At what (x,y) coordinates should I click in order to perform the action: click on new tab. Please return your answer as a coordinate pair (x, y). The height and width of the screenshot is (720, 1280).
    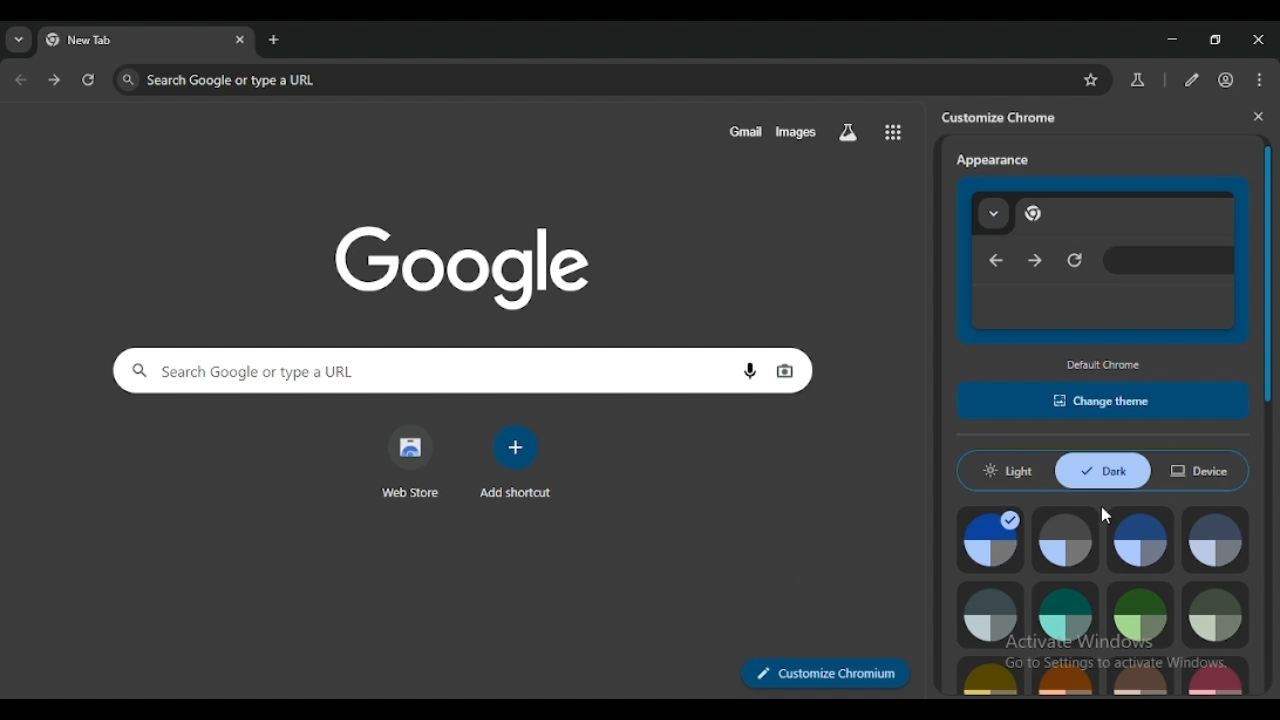
    Looking at the image, I should click on (118, 39).